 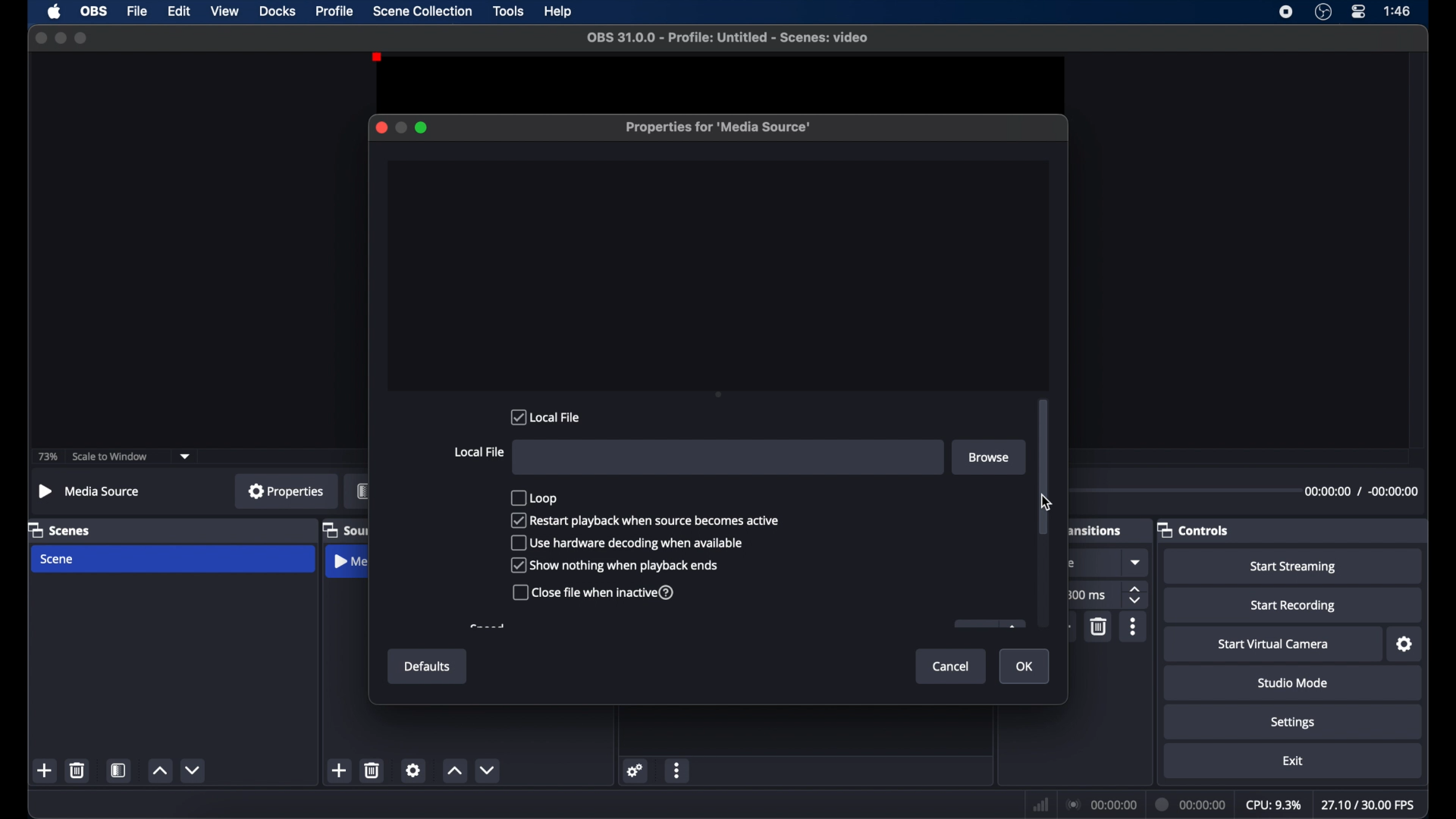 What do you see at coordinates (178, 12) in the screenshot?
I see `edit` at bounding box center [178, 12].